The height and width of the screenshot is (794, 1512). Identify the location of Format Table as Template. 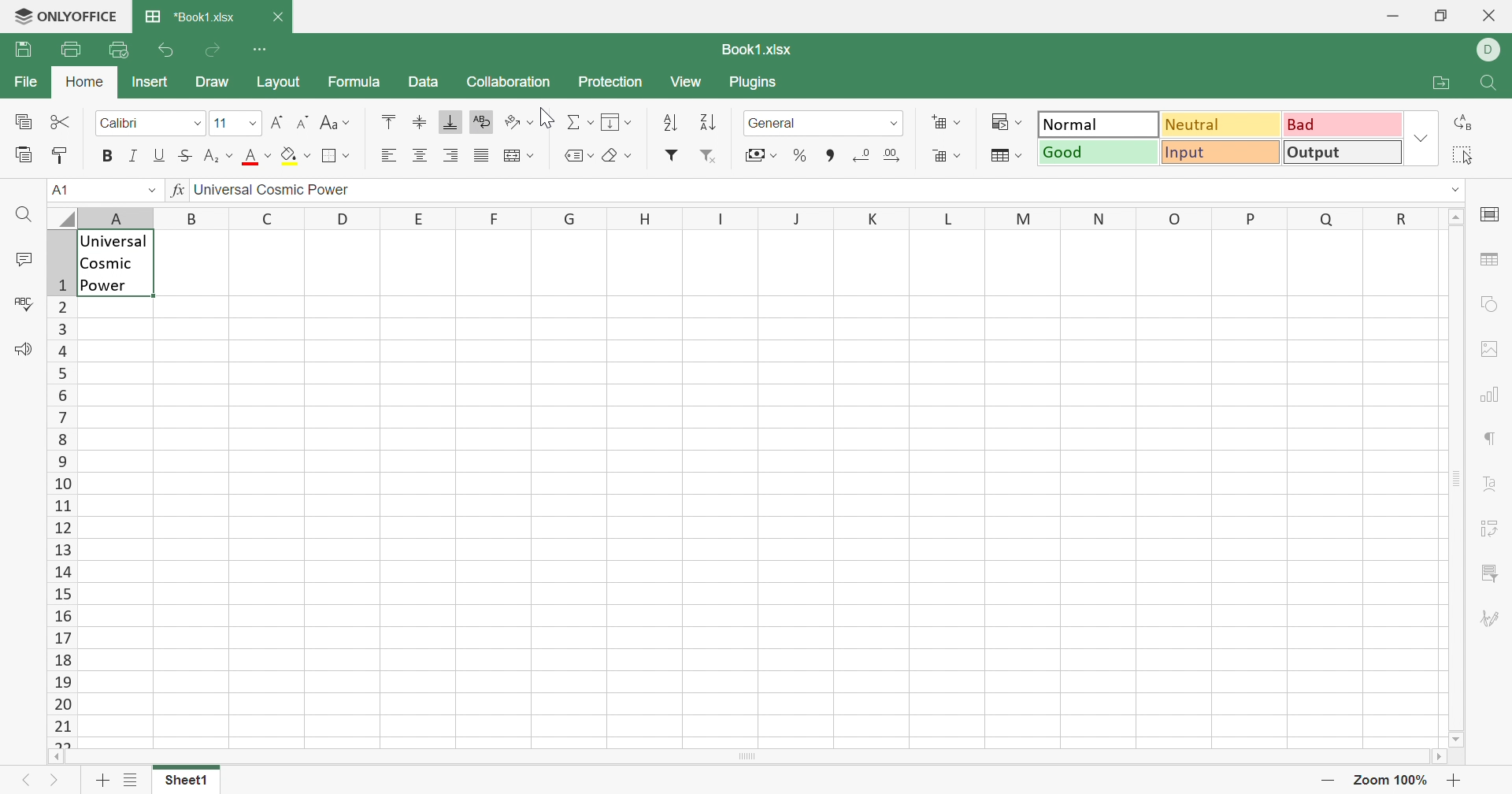
(1006, 156).